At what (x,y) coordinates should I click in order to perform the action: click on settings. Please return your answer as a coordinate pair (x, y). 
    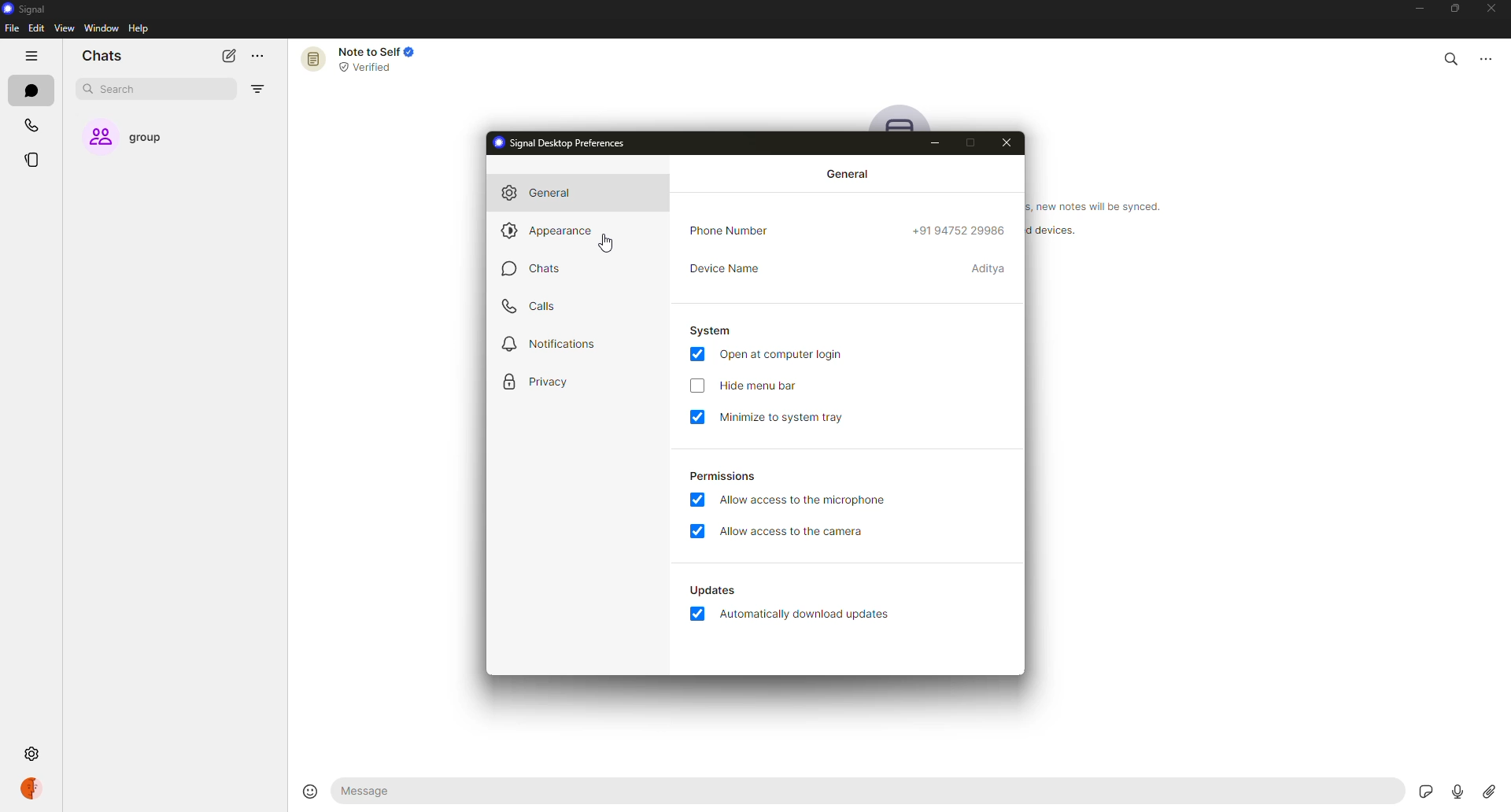
    Looking at the image, I should click on (31, 754).